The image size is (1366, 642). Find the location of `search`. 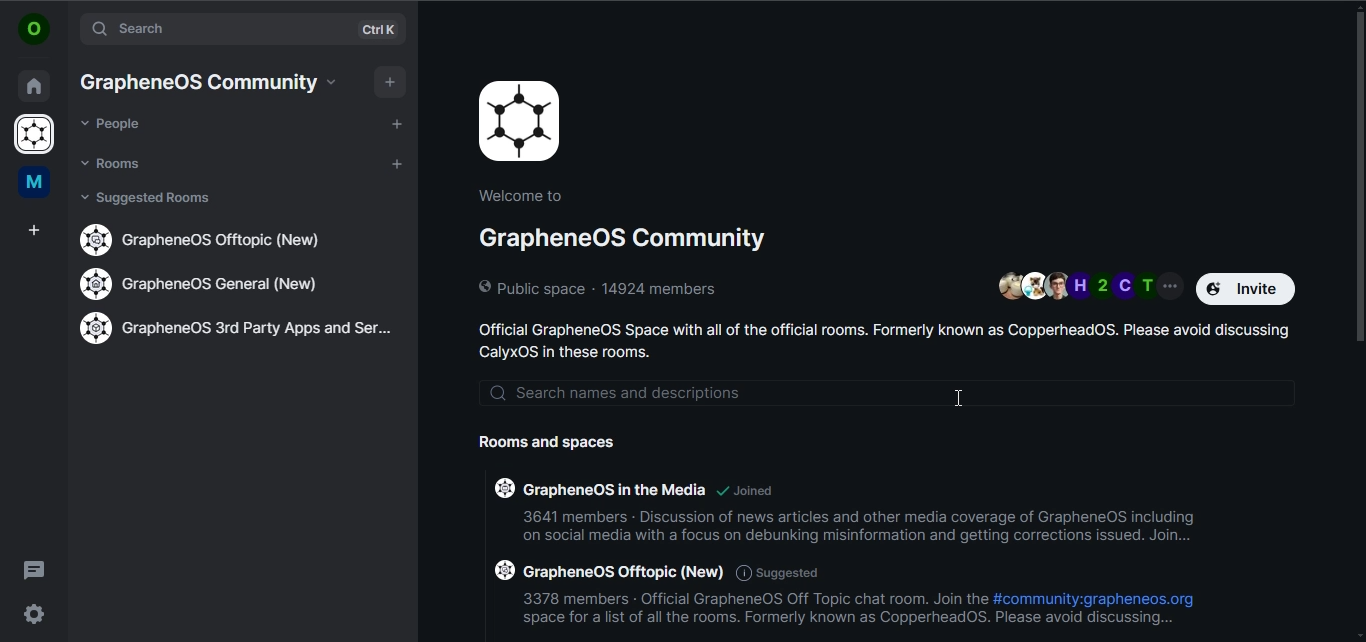

search is located at coordinates (893, 394).